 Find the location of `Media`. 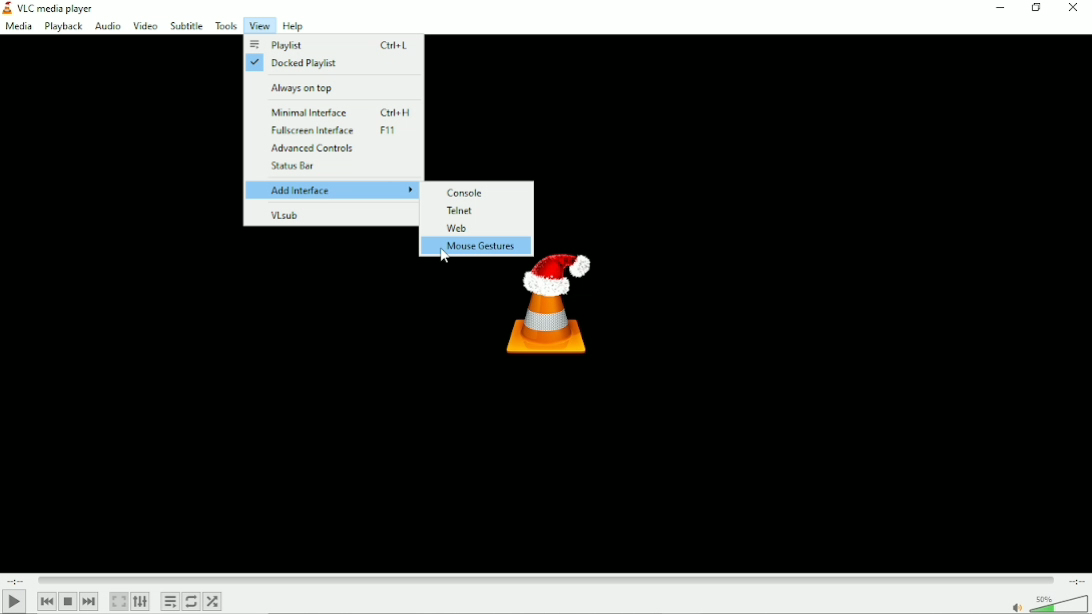

Media is located at coordinates (19, 26).